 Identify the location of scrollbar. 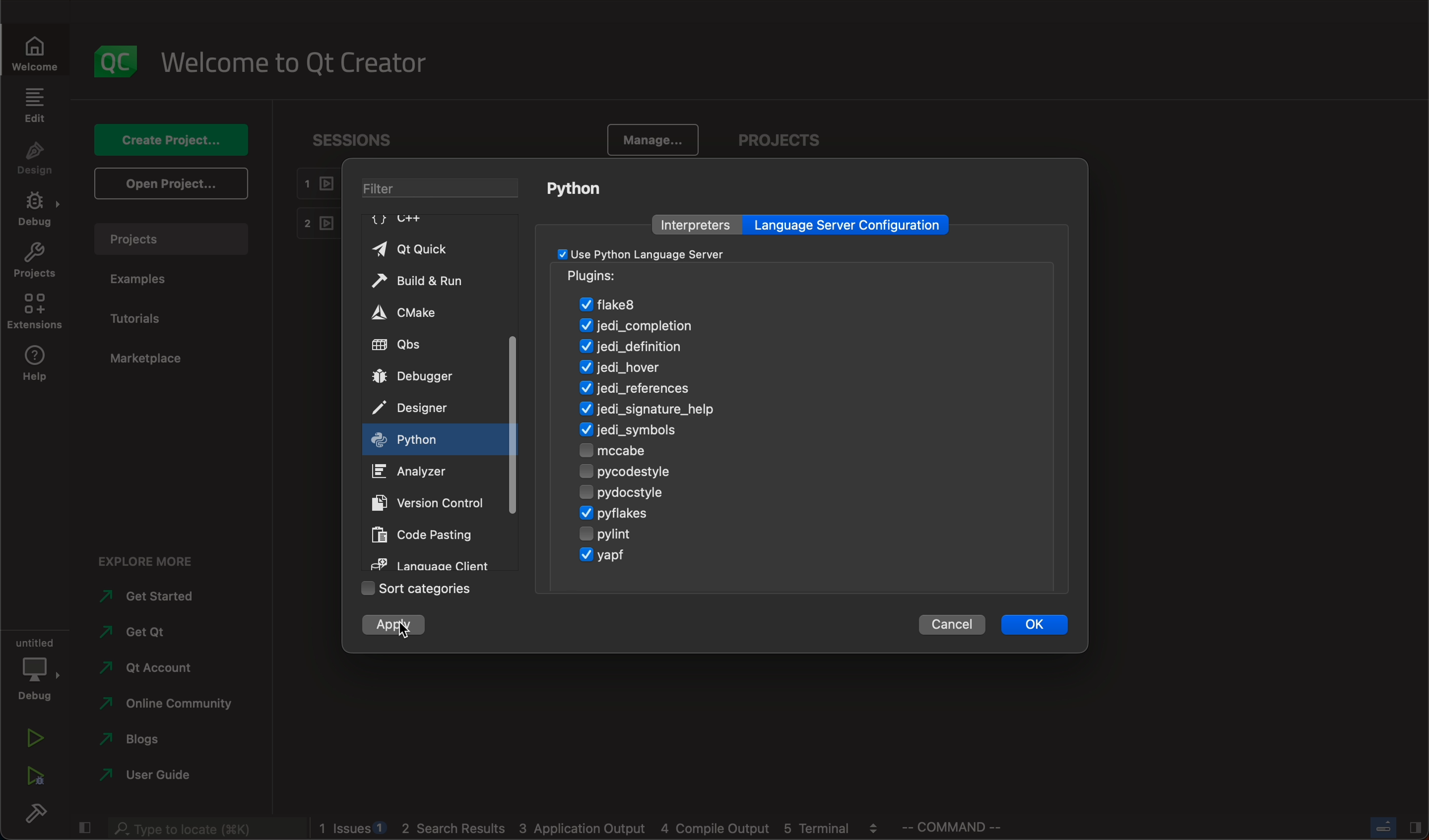
(511, 394).